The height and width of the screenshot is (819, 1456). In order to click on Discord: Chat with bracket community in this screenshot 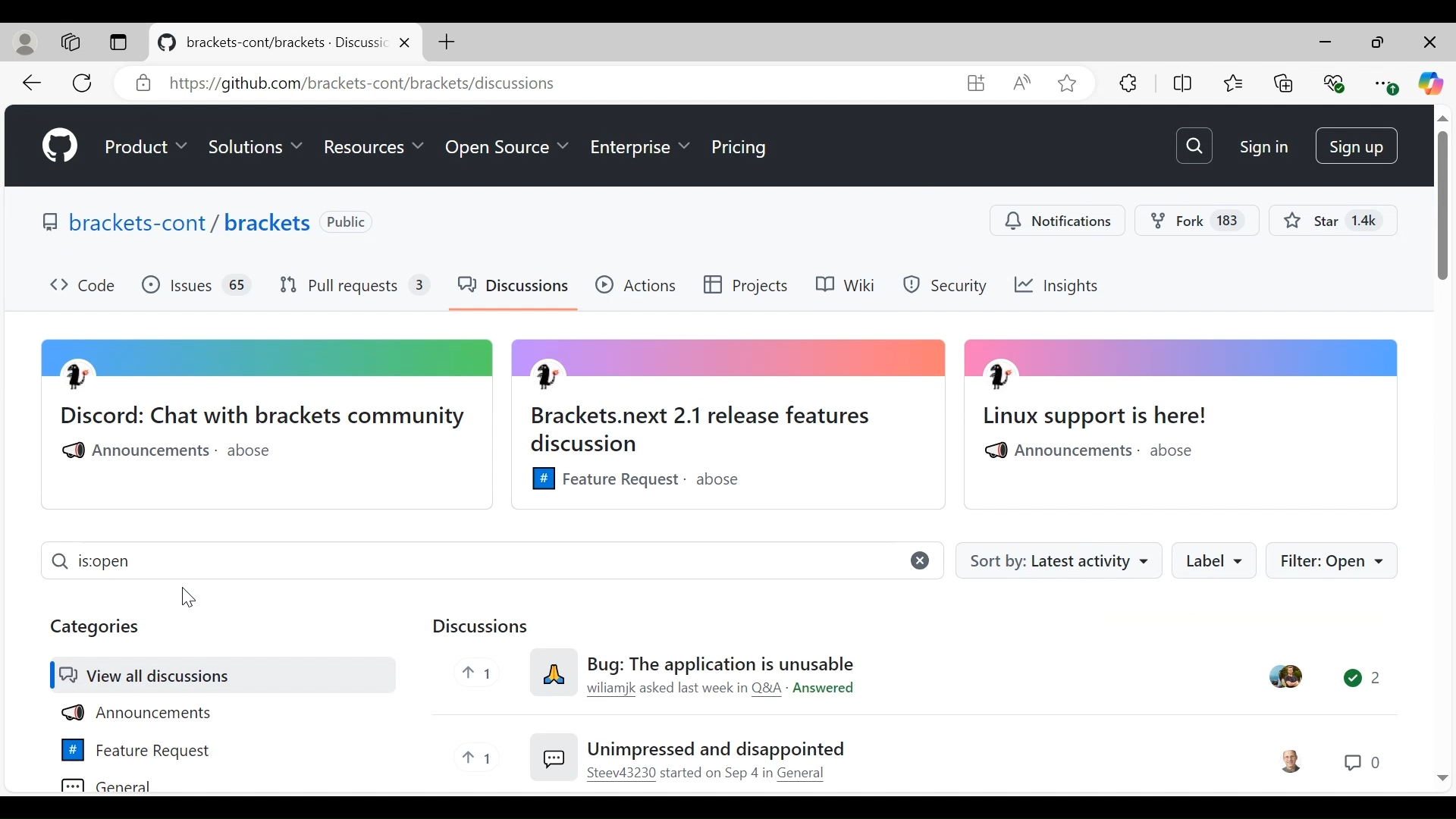, I will do `click(269, 419)`.